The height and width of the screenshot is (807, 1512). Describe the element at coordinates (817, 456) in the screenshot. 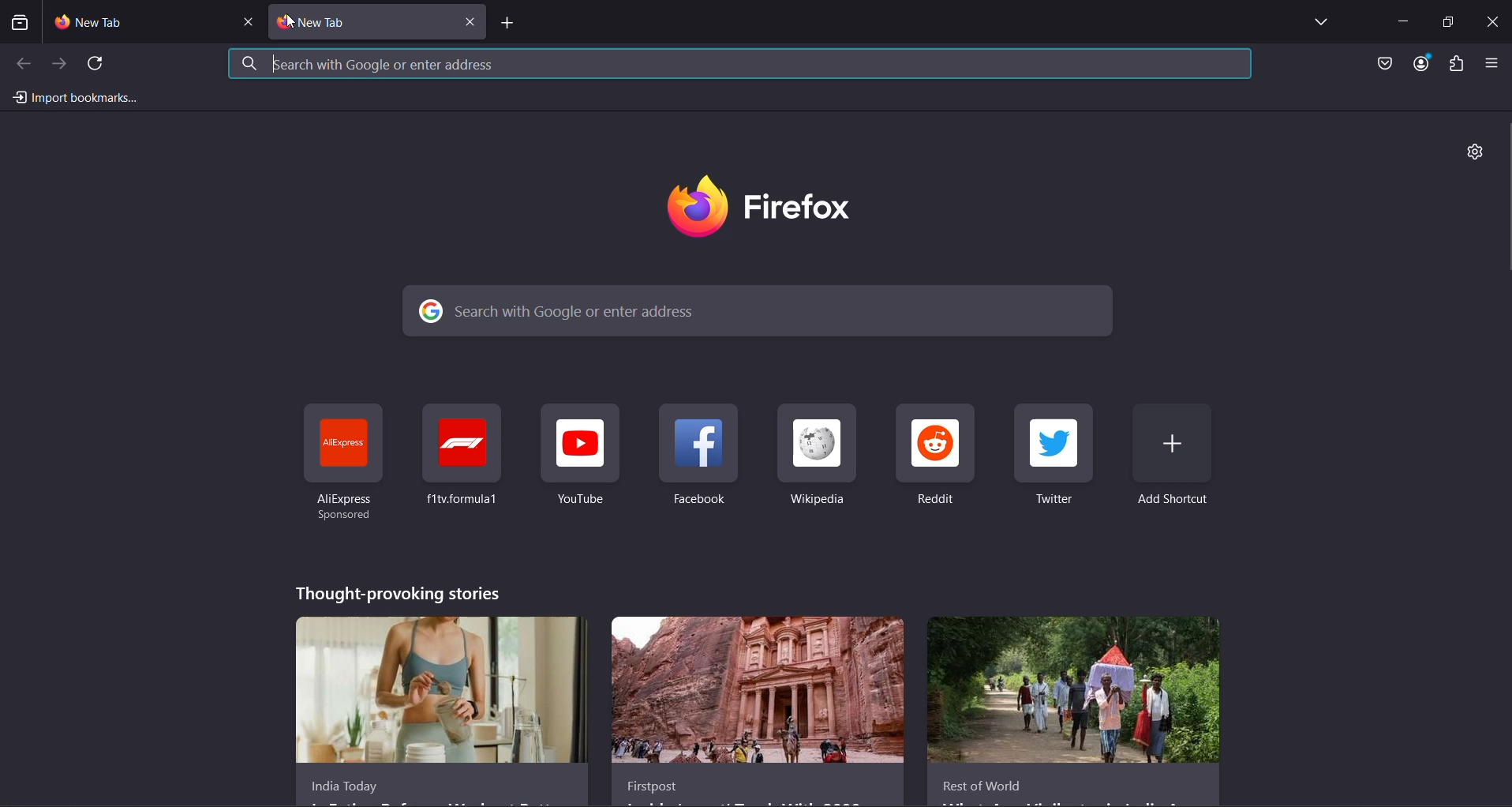

I see `shortcut` at that location.